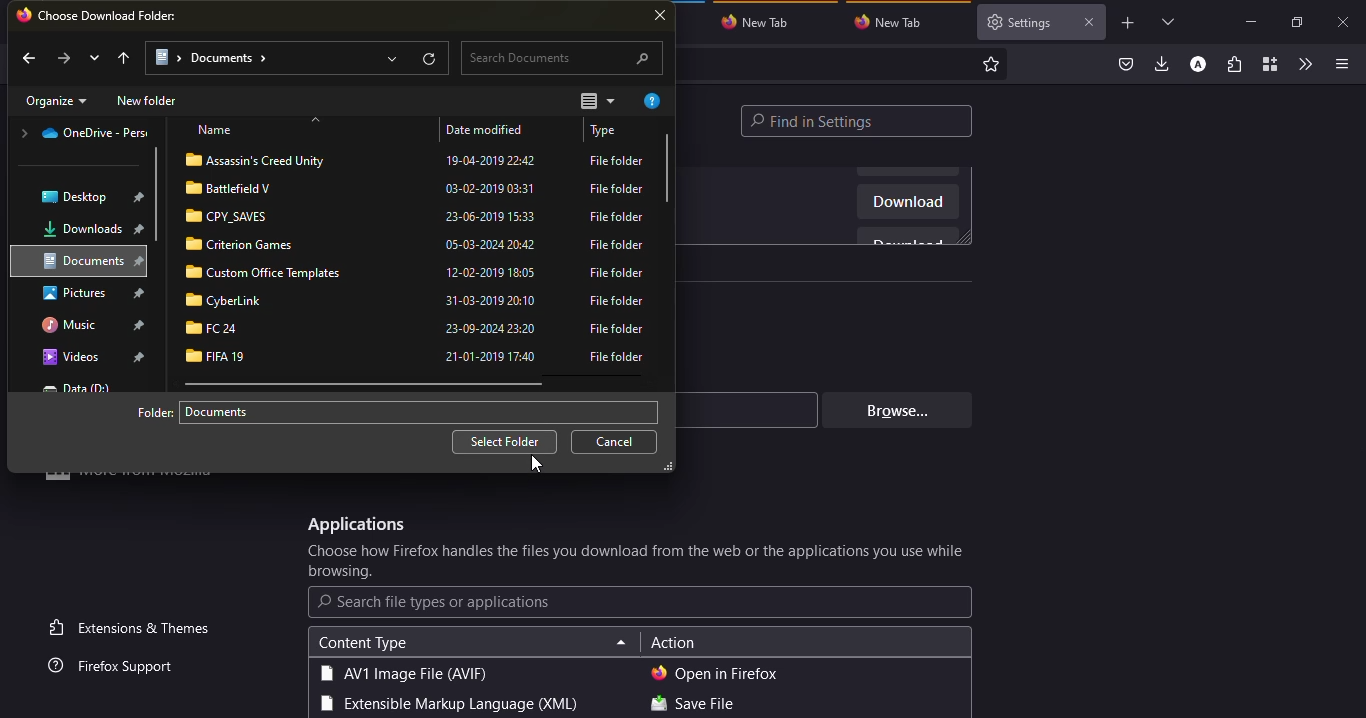  I want to click on select folder, so click(505, 442).